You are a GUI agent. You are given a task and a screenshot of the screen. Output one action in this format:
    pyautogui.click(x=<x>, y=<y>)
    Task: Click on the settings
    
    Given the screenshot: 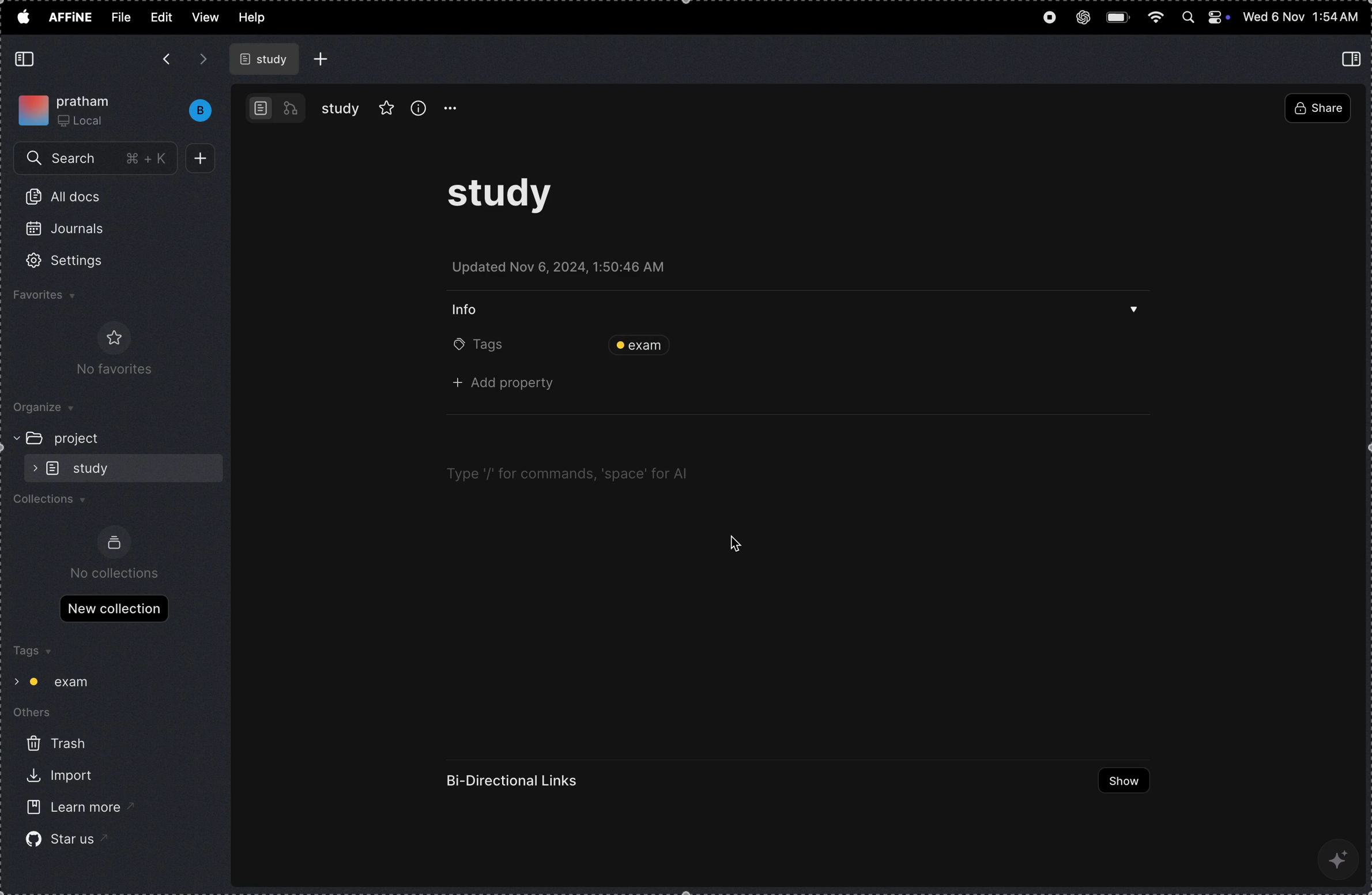 What is the action you would take?
    pyautogui.click(x=80, y=261)
    